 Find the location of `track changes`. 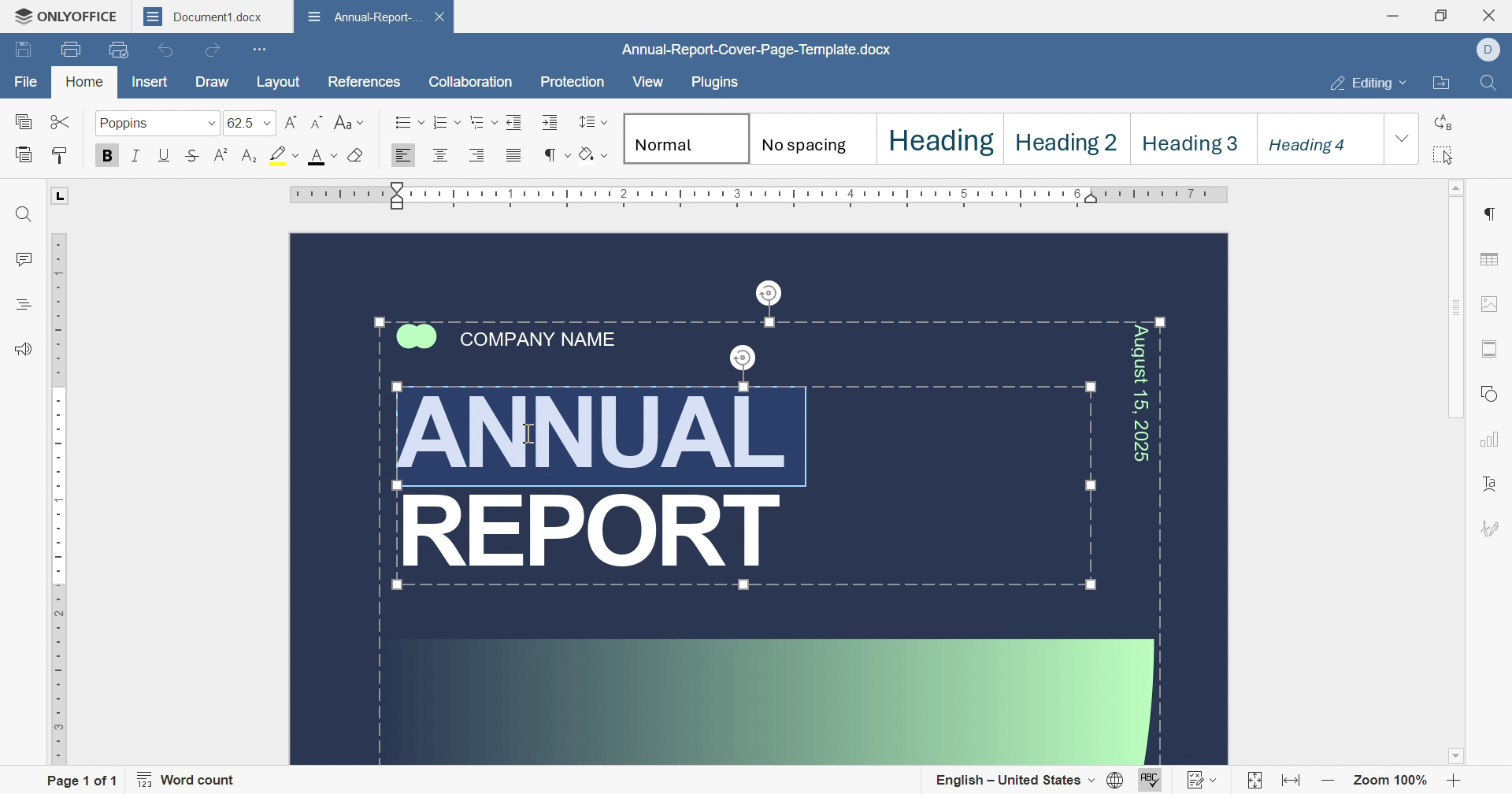

track changes is located at coordinates (1201, 781).